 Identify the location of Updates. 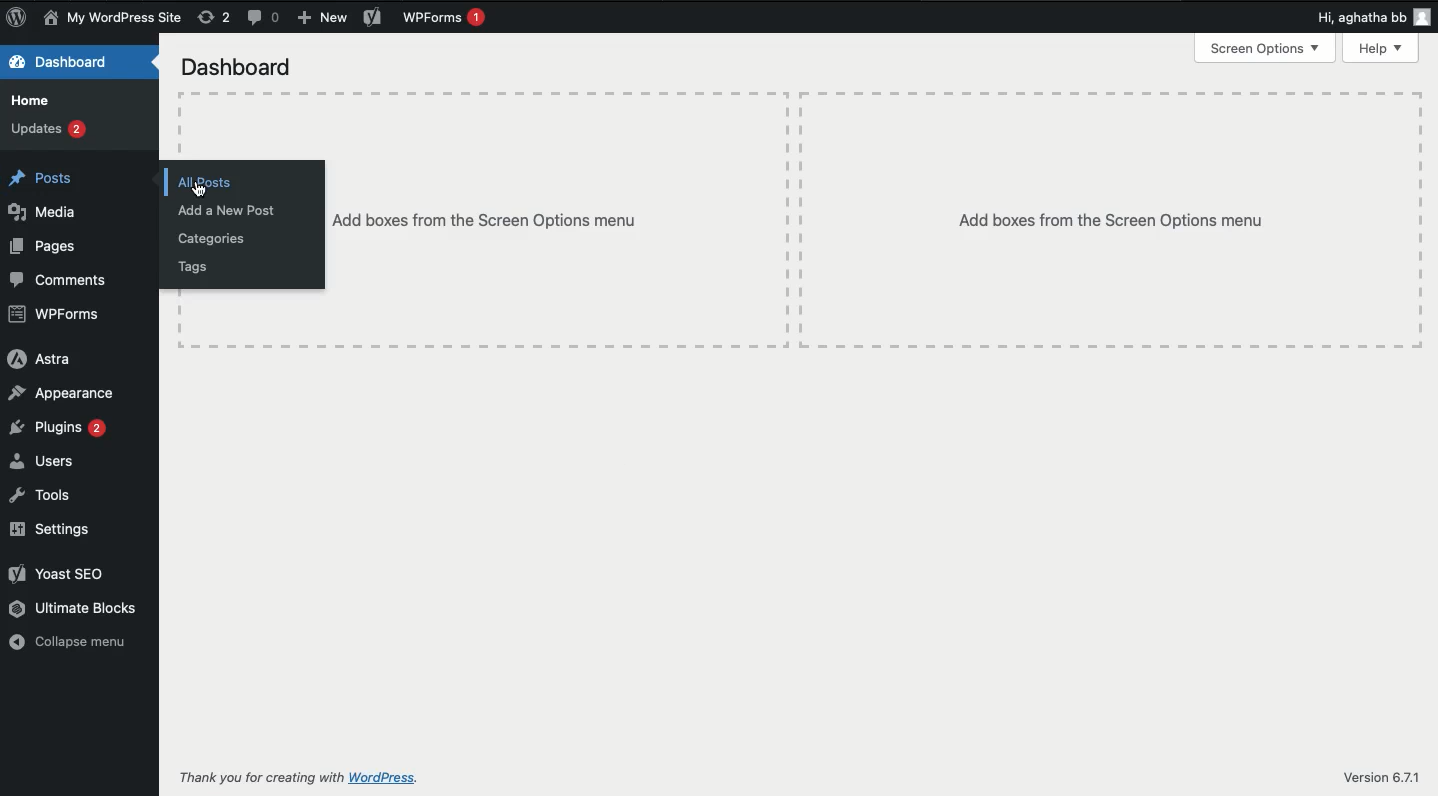
(49, 130).